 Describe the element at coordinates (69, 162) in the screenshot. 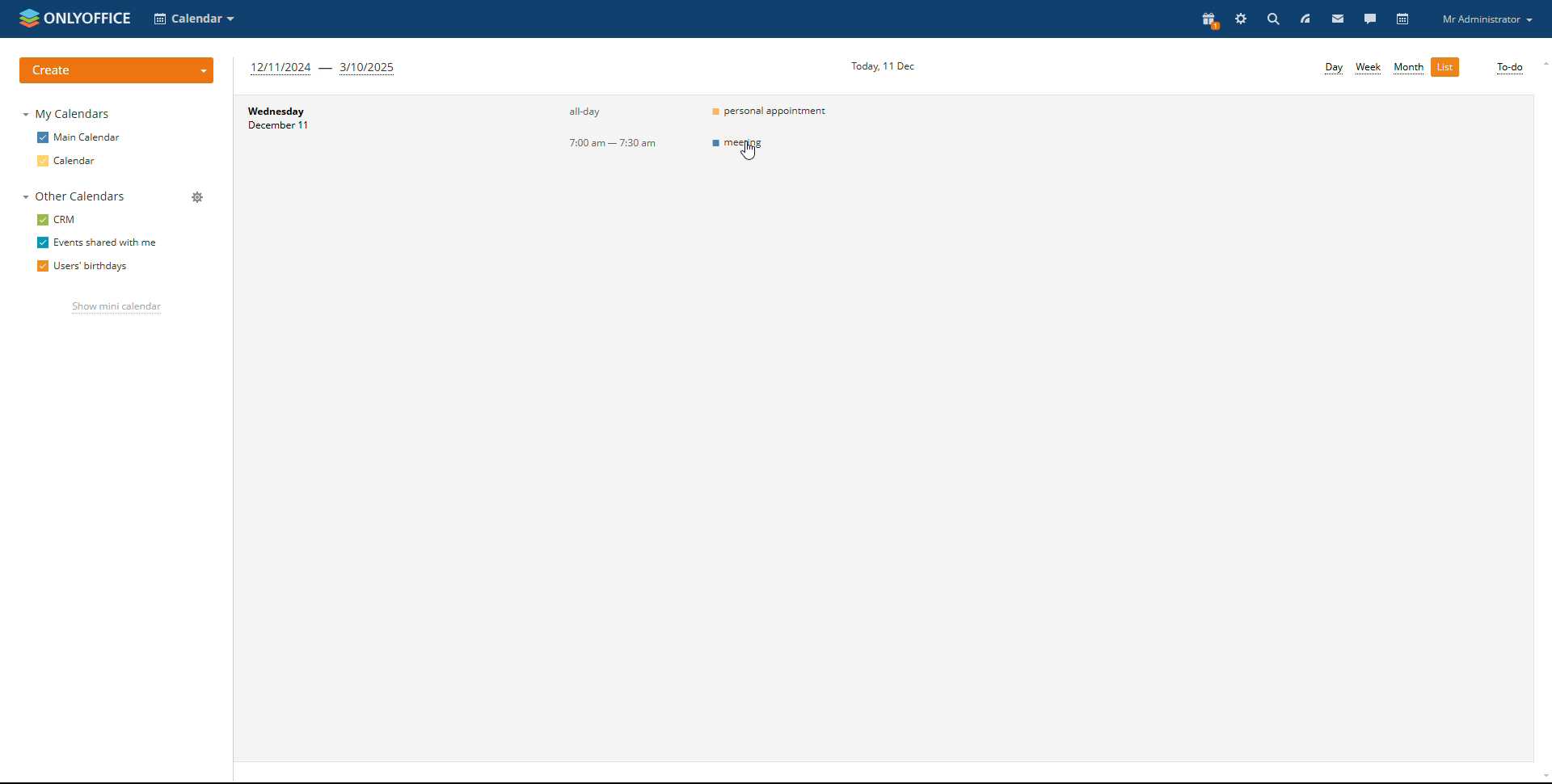

I see `calendar` at that location.